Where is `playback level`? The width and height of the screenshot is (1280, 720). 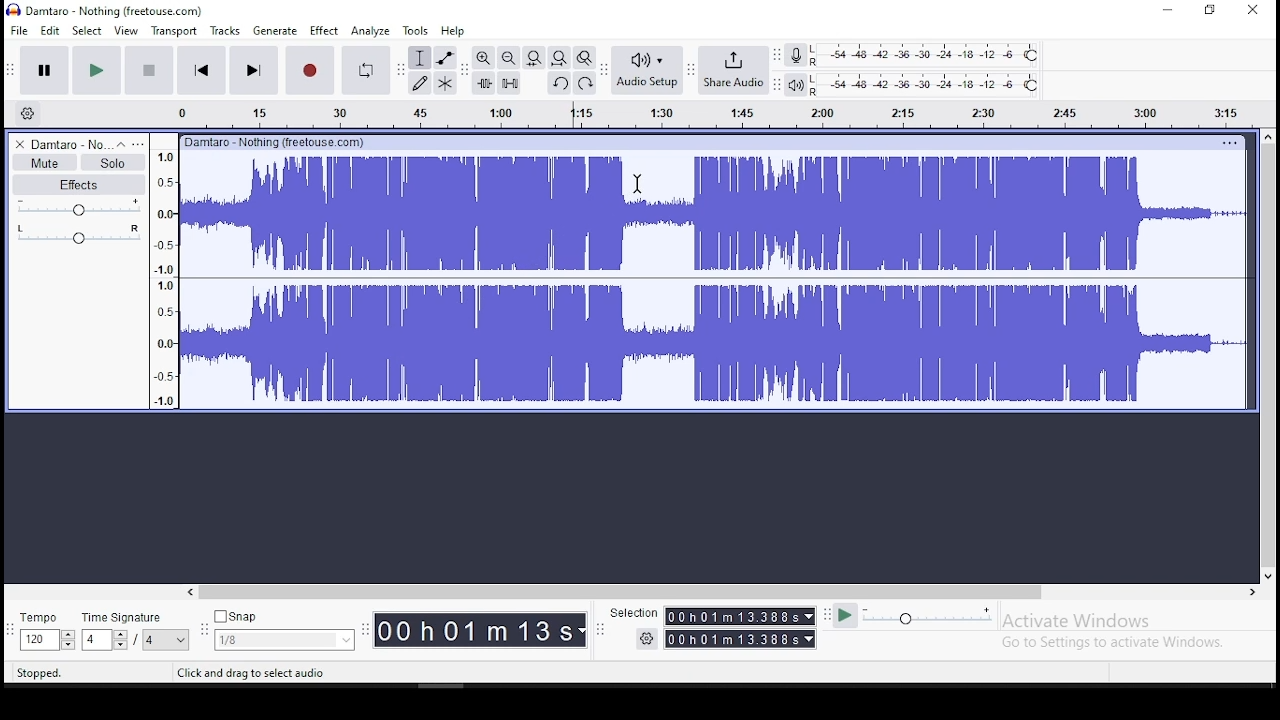 playback level is located at coordinates (927, 85).